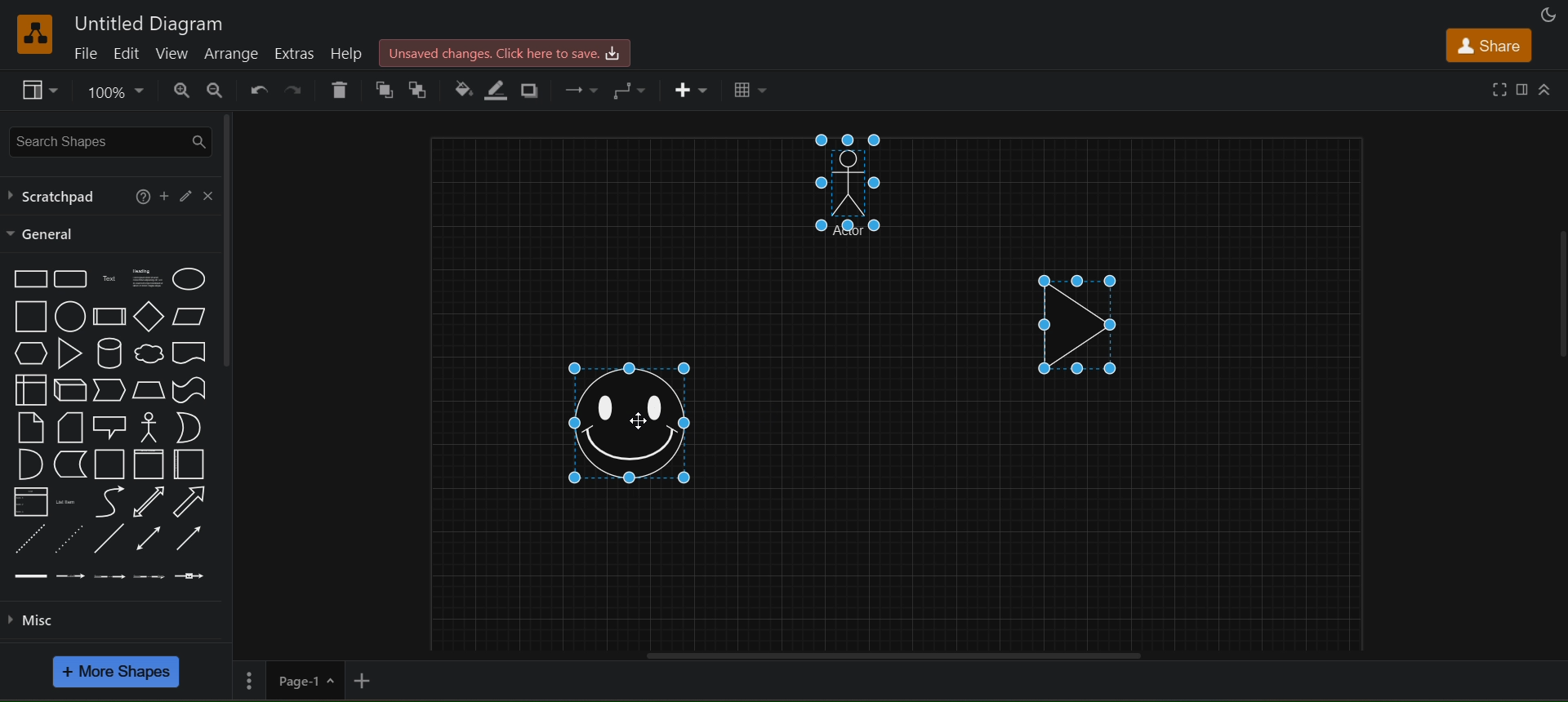 The height and width of the screenshot is (702, 1568). What do you see at coordinates (84, 53) in the screenshot?
I see `file` at bounding box center [84, 53].